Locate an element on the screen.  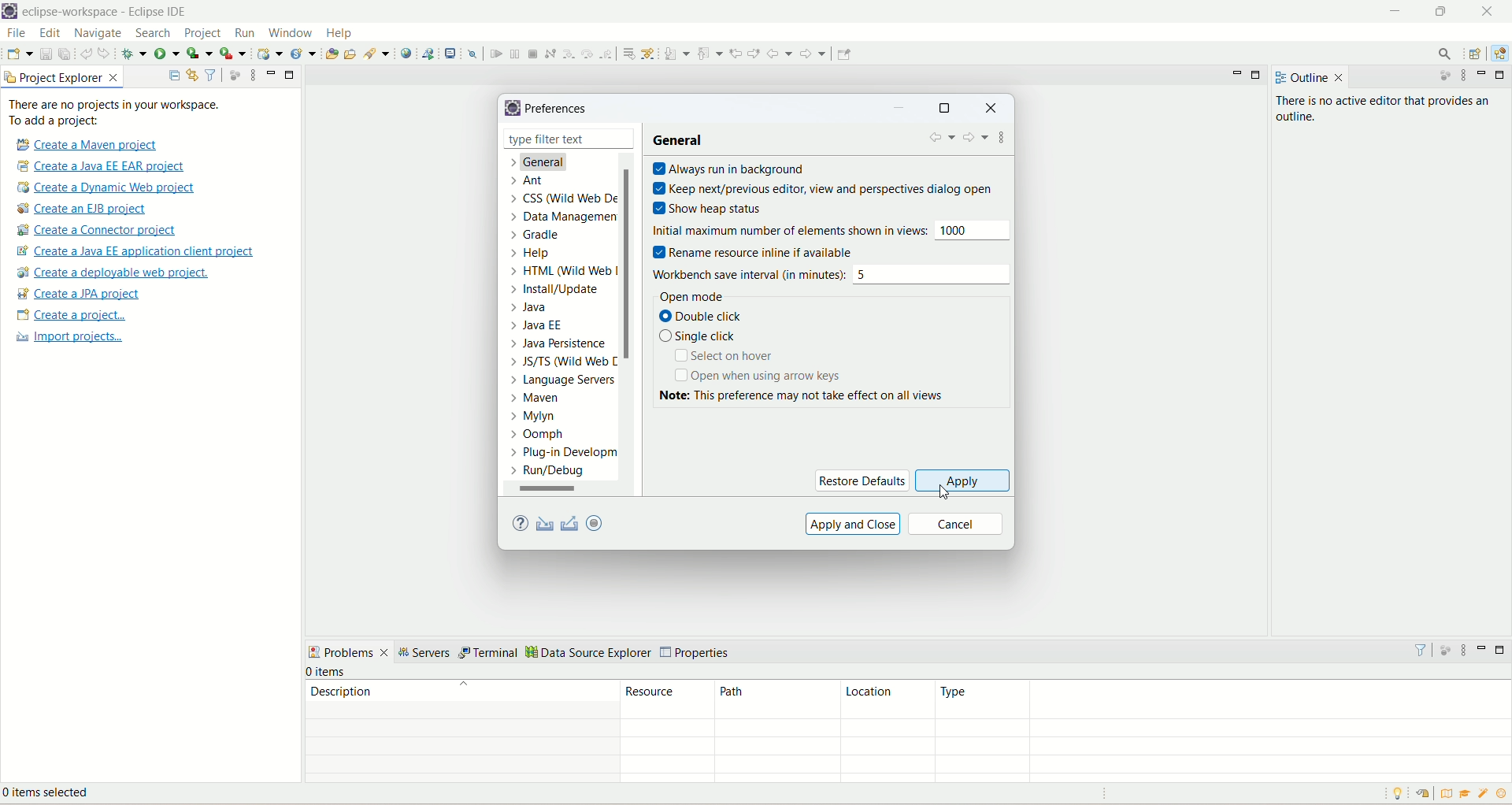
create a Java EE ER project is located at coordinates (105, 166).